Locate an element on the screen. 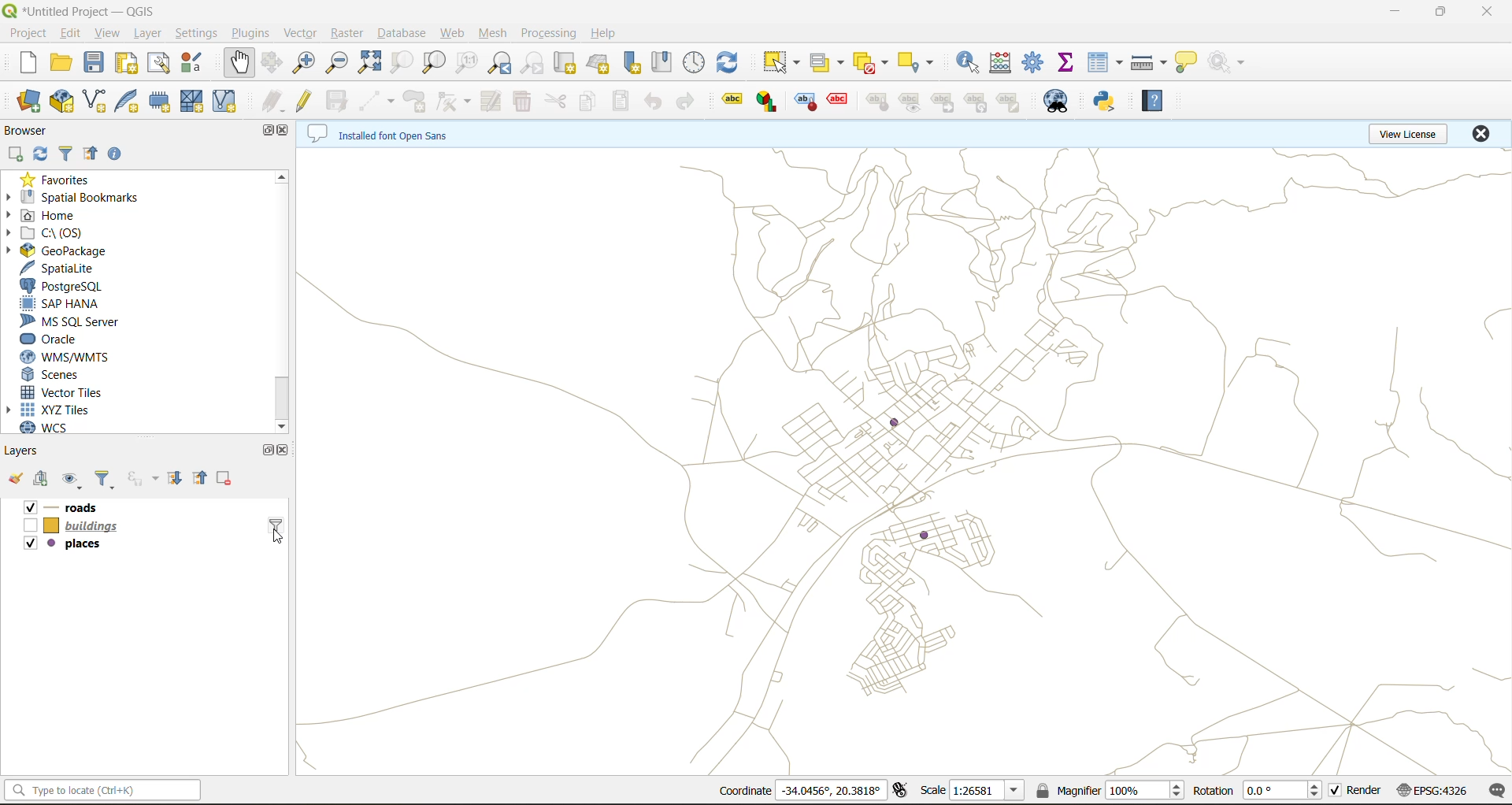 This screenshot has height=805, width=1512. vertex tools is located at coordinates (457, 102).